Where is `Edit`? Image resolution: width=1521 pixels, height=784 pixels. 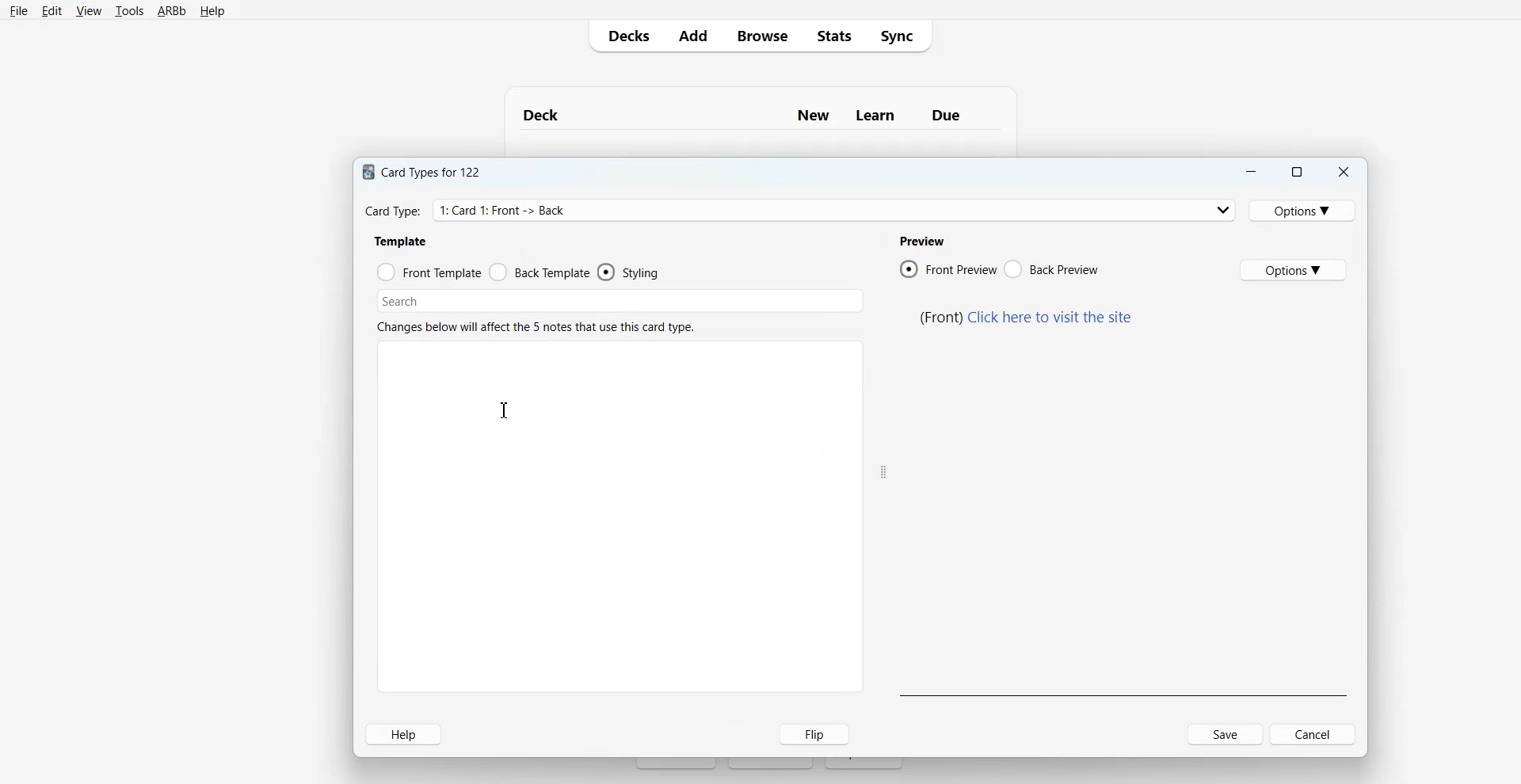 Edit is located at coordinates (52, 11).